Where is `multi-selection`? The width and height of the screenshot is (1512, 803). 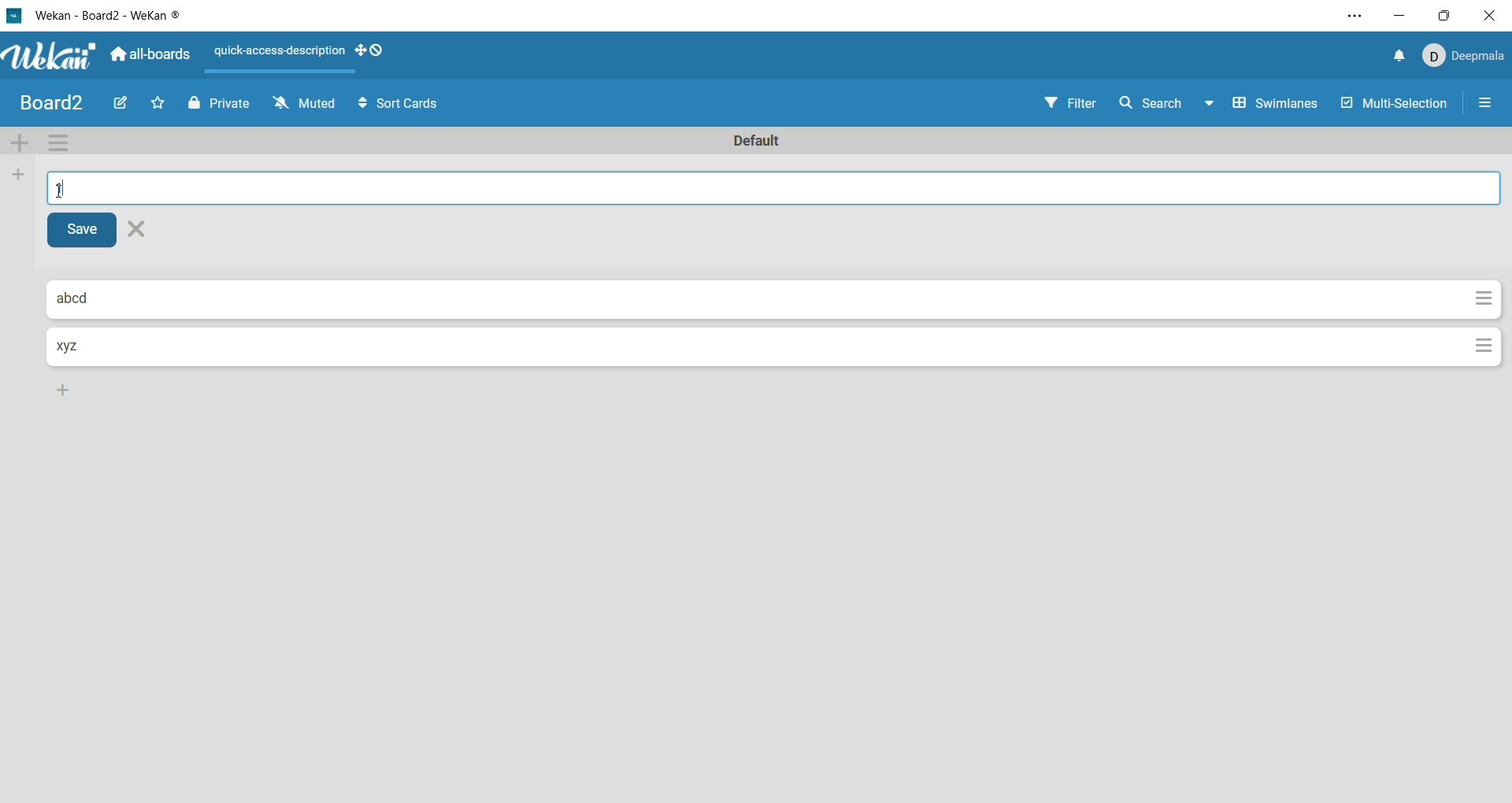
multi-selection is located at coordinates (1395, 105).